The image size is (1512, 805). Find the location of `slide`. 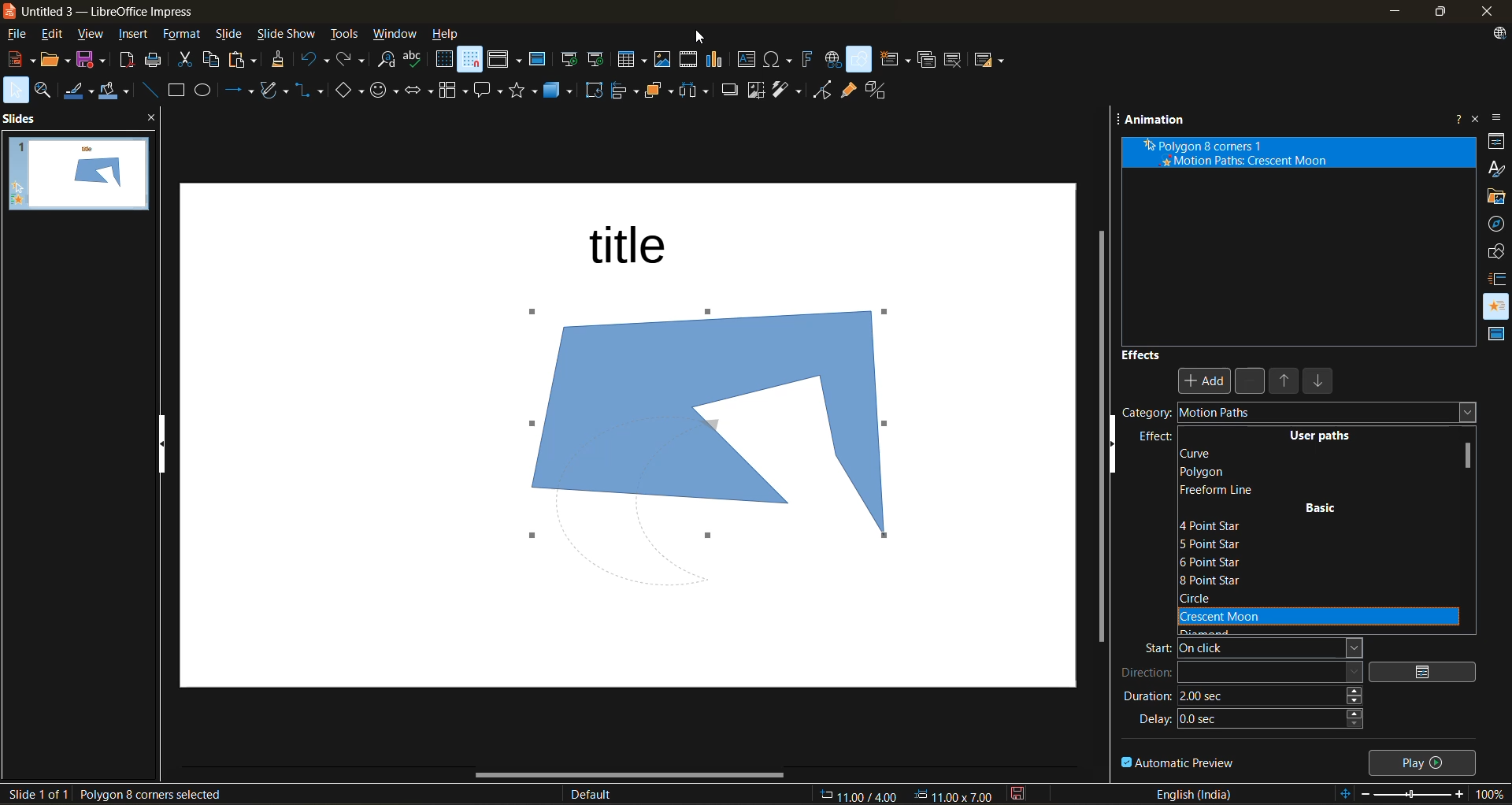

slide is located at coordinates (231, 36).